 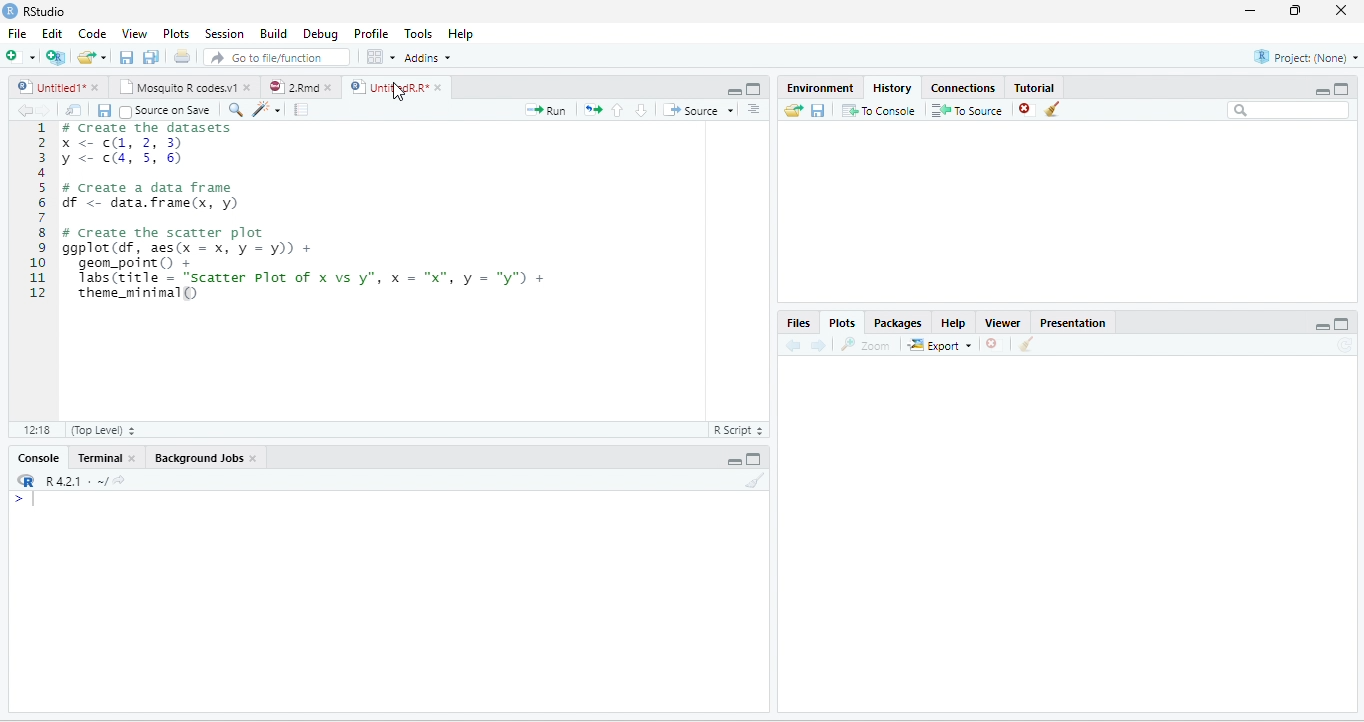 What do you see at coordinates (1288, 111) in the screenshot?
I see `Search bar` at bounding box center [1288, 111].